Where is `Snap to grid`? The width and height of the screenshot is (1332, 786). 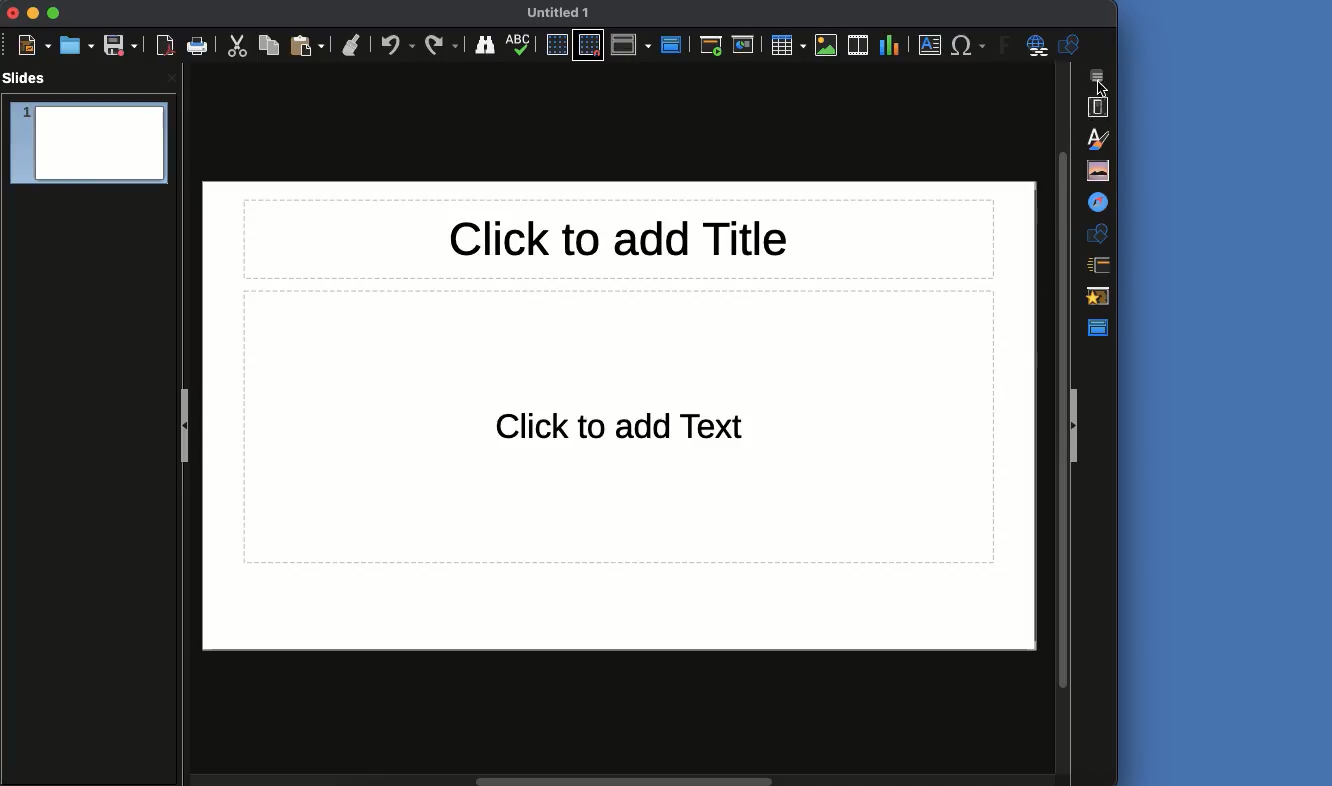 Snap to grid is located at coordinates (589, 45).